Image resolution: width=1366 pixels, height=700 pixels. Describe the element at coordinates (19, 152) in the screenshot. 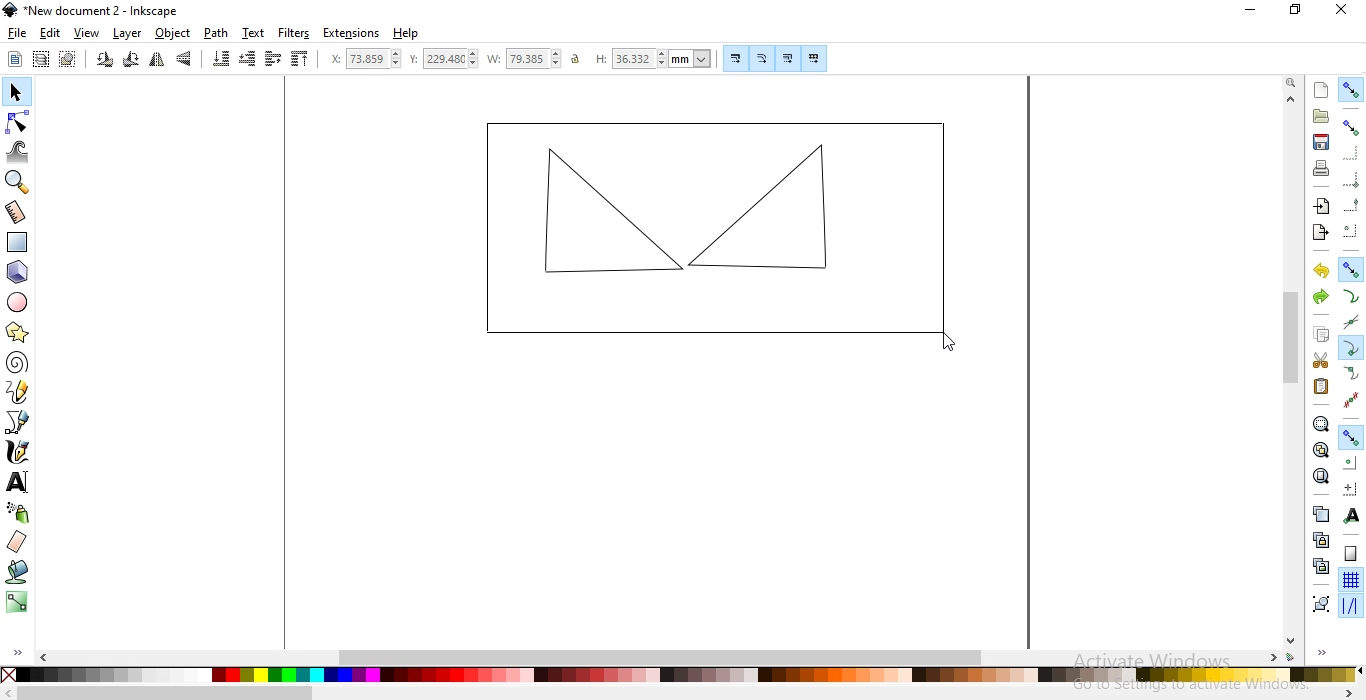

I see `tweak objects by sculpting or painting` at that location.